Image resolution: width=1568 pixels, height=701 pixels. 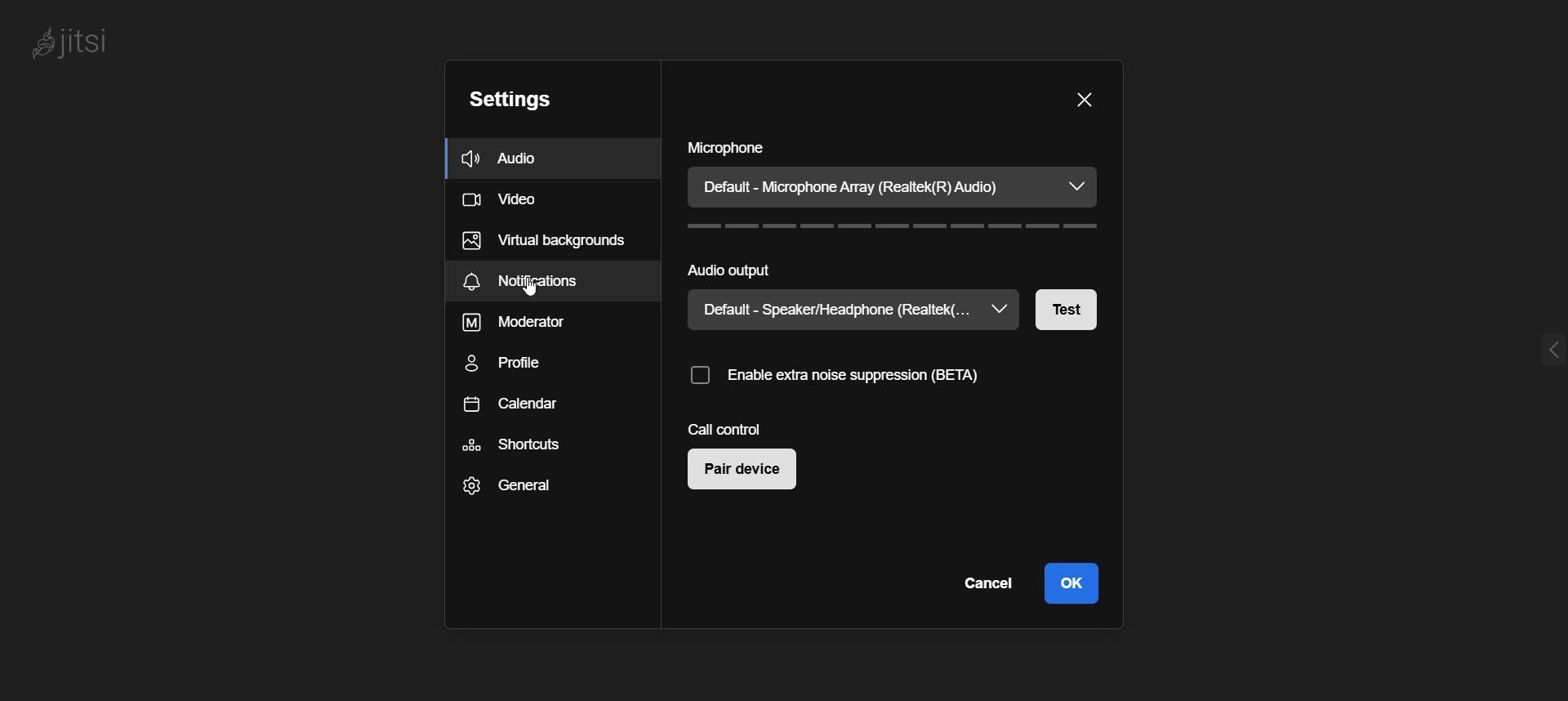 I want to click on Shortcuts, so click(x=515, y=444).